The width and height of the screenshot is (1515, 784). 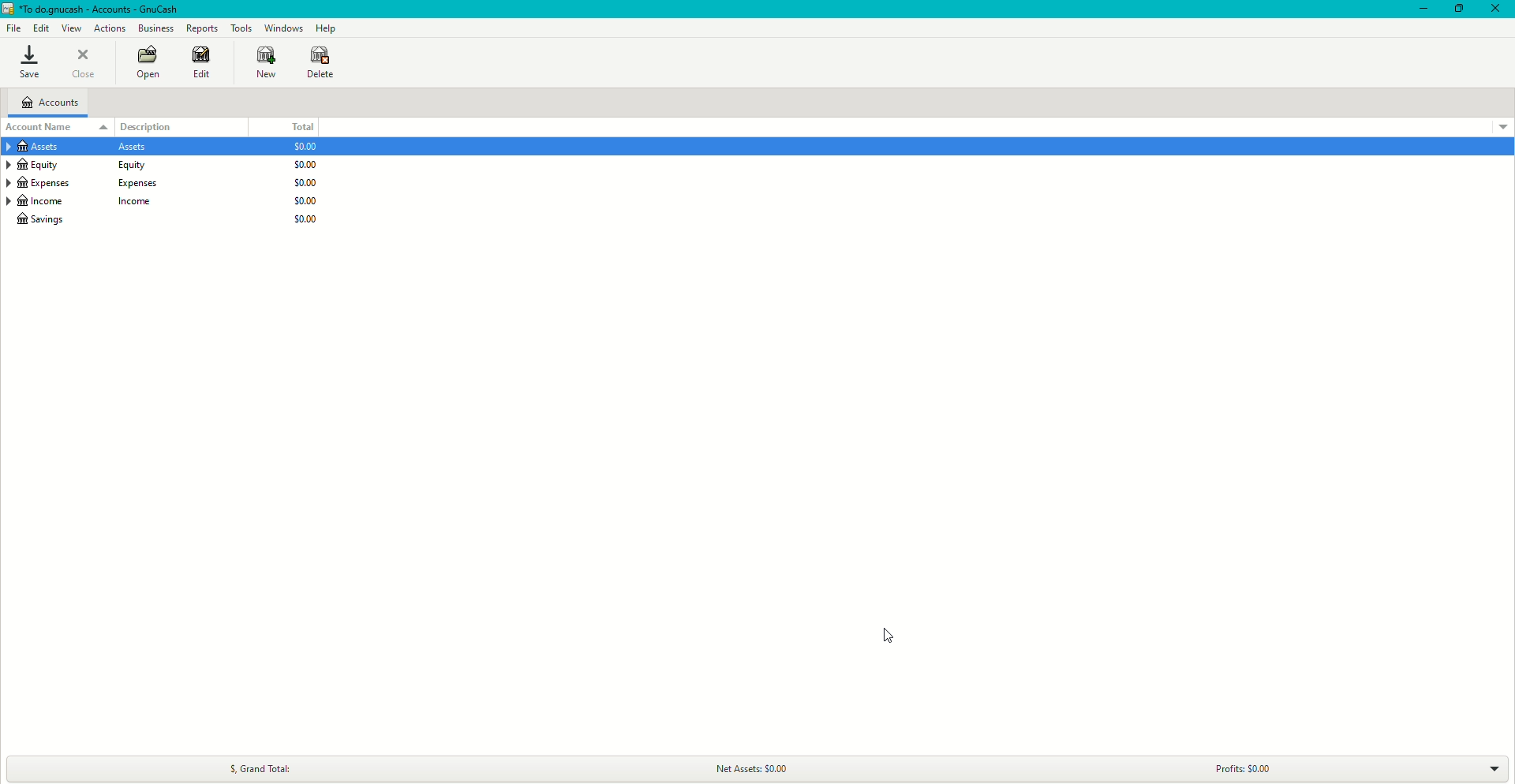 What do you see at coordinates (1247, 767) in the screenshot?
I see `Profits` at bounding box center [1247, 767].